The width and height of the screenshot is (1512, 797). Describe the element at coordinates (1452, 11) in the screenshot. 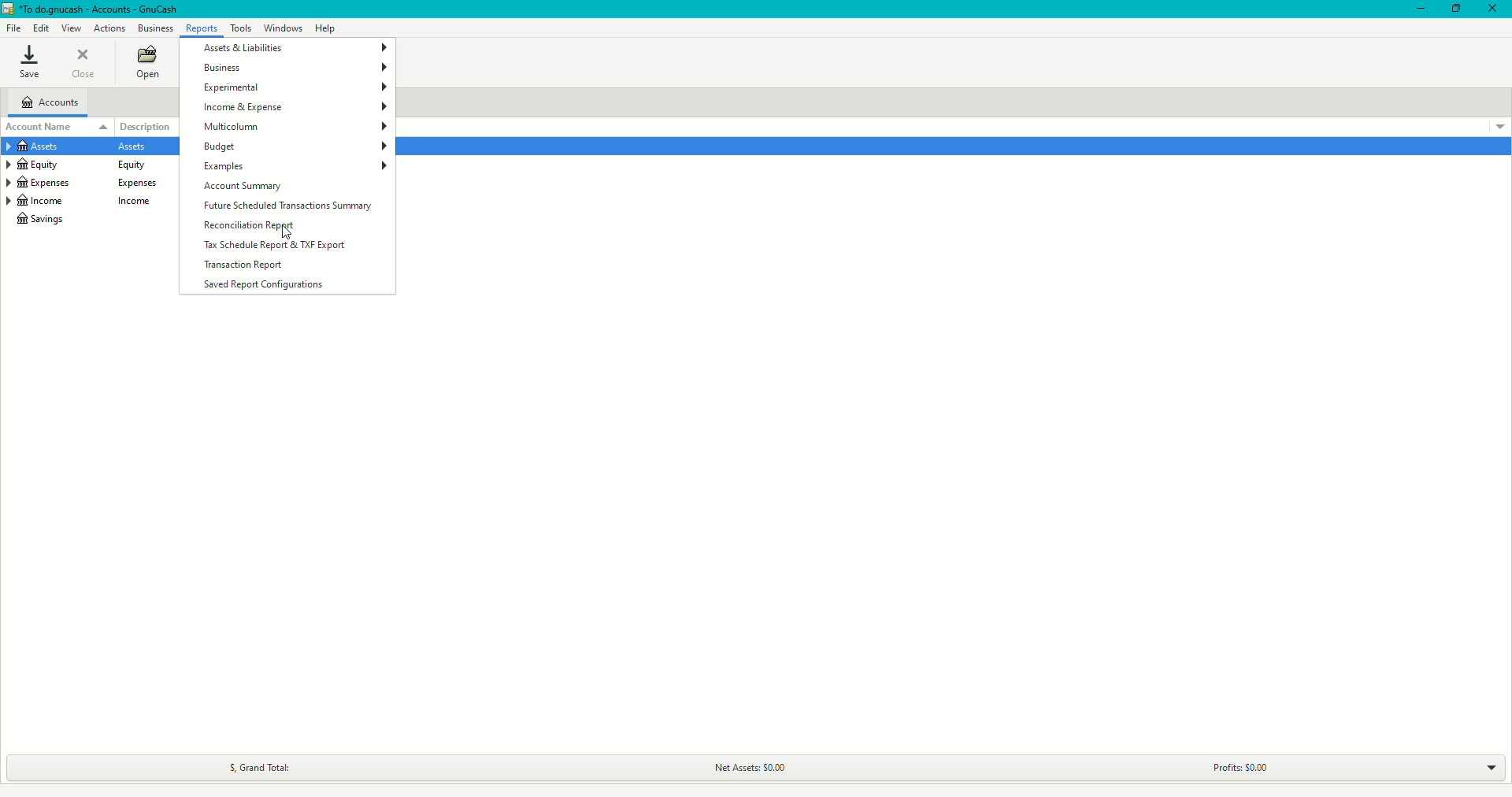

I see `Restore` at that location.